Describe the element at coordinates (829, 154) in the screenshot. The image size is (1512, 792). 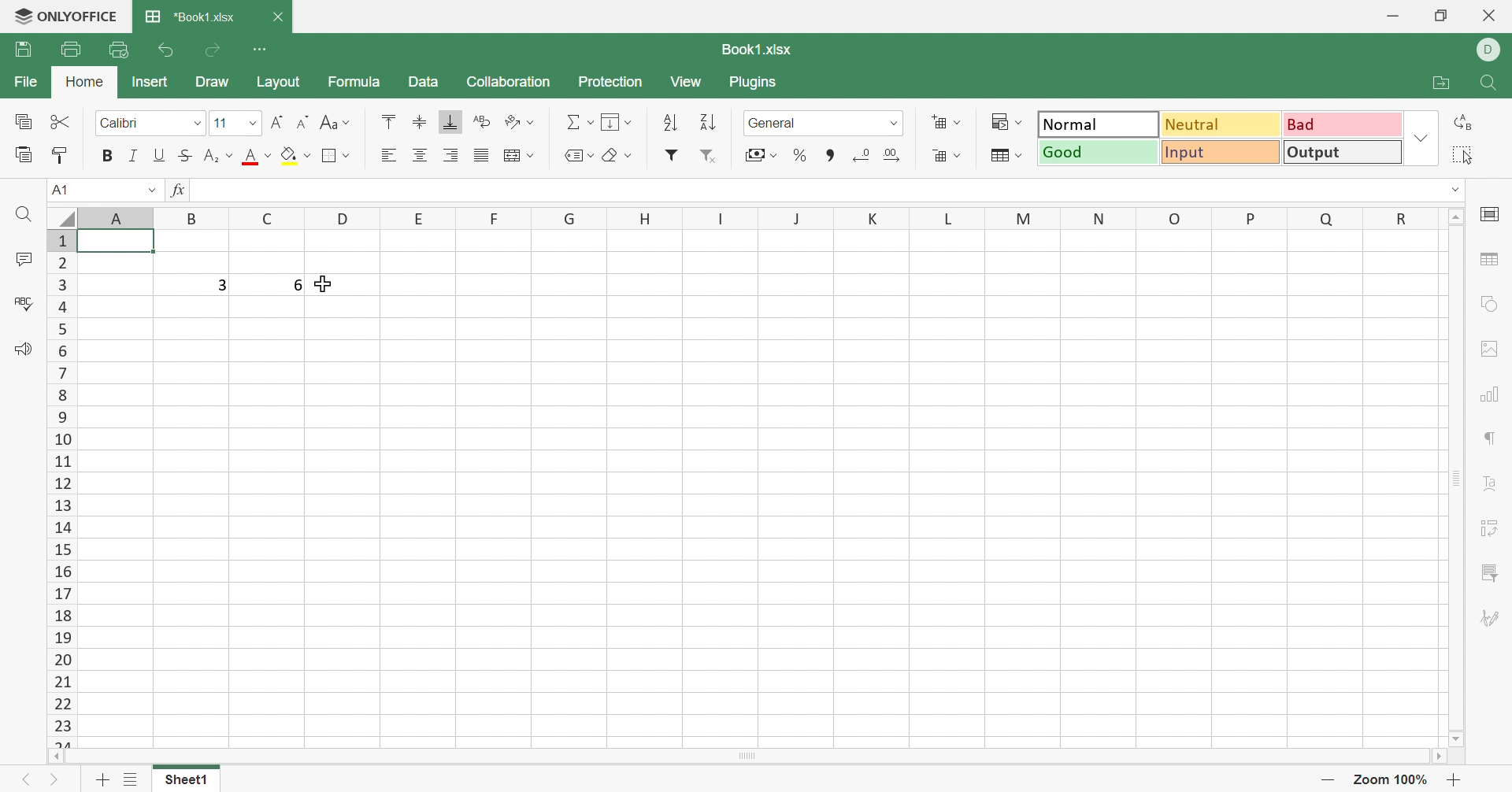
I see `Comma style` at that location.